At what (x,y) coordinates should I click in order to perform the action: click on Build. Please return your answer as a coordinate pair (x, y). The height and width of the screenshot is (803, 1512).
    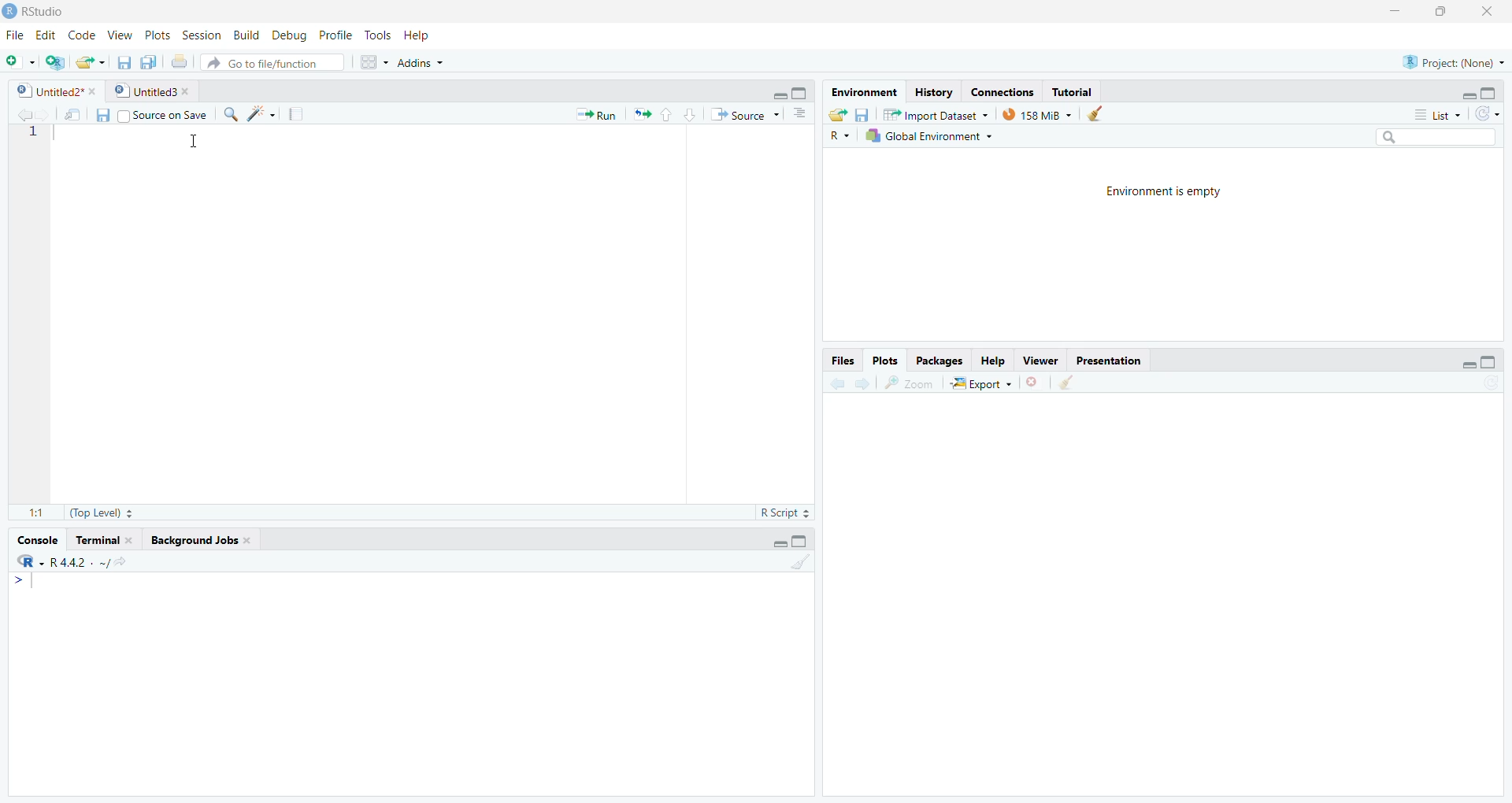
    Looking at the image, I should click on (244, 35).